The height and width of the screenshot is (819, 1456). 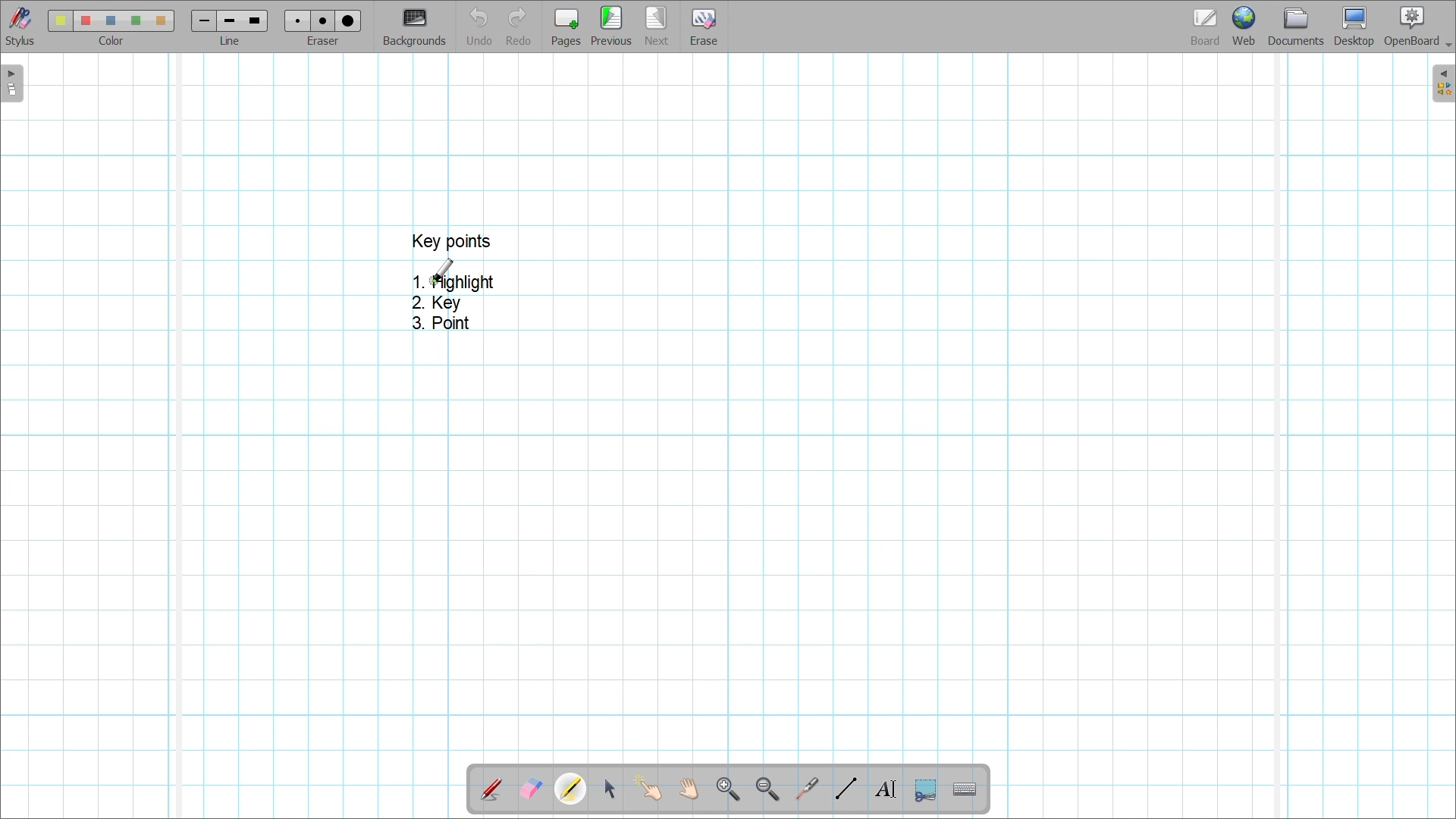 I want to click on color4, so click(x=135, y=20).